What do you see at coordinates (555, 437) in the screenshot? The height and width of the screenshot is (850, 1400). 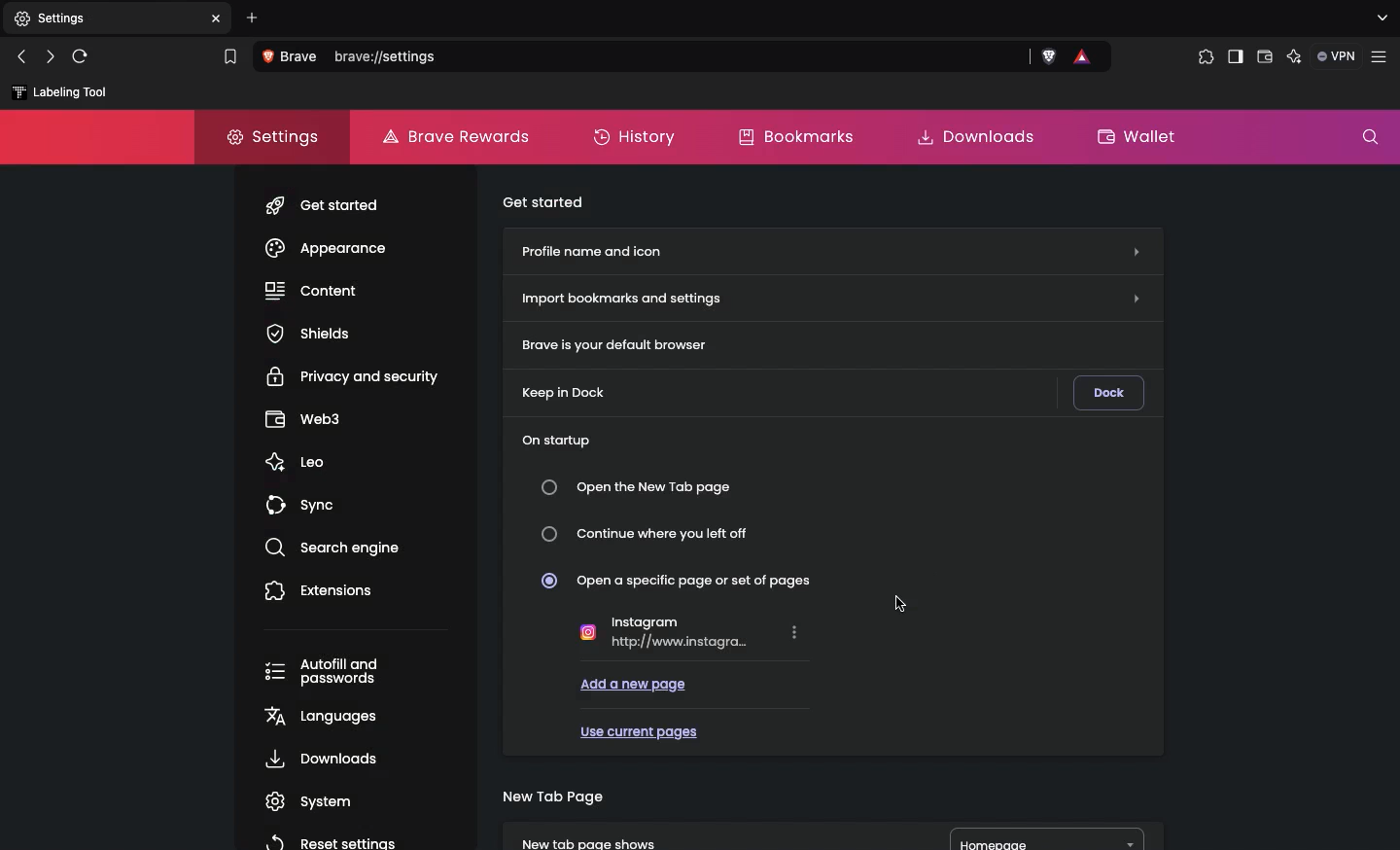 I see `On start up` at bounding box center [555, 437].